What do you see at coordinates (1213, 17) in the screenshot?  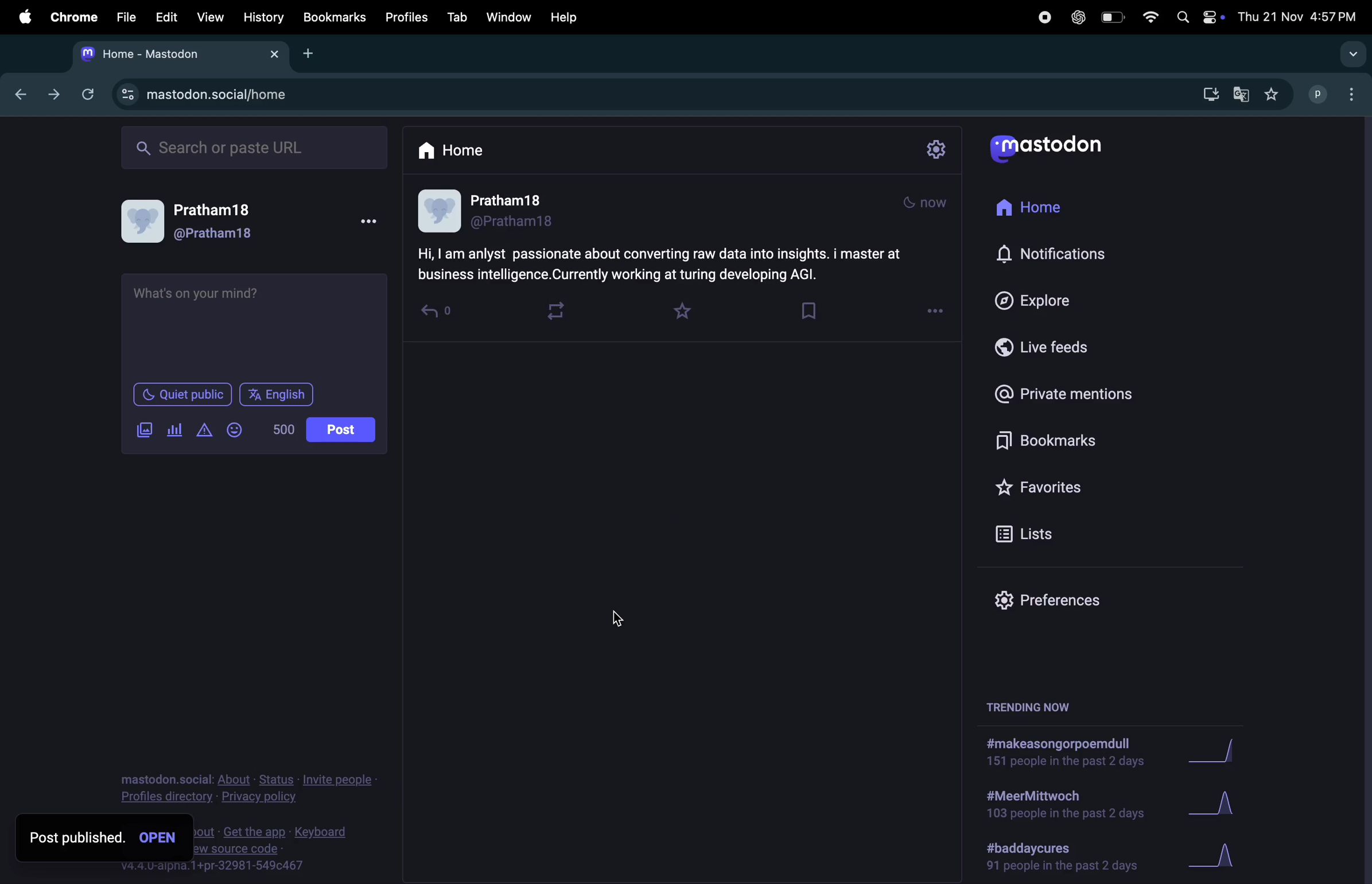 I see `apple widgets` at bounding box center [1213, 17].